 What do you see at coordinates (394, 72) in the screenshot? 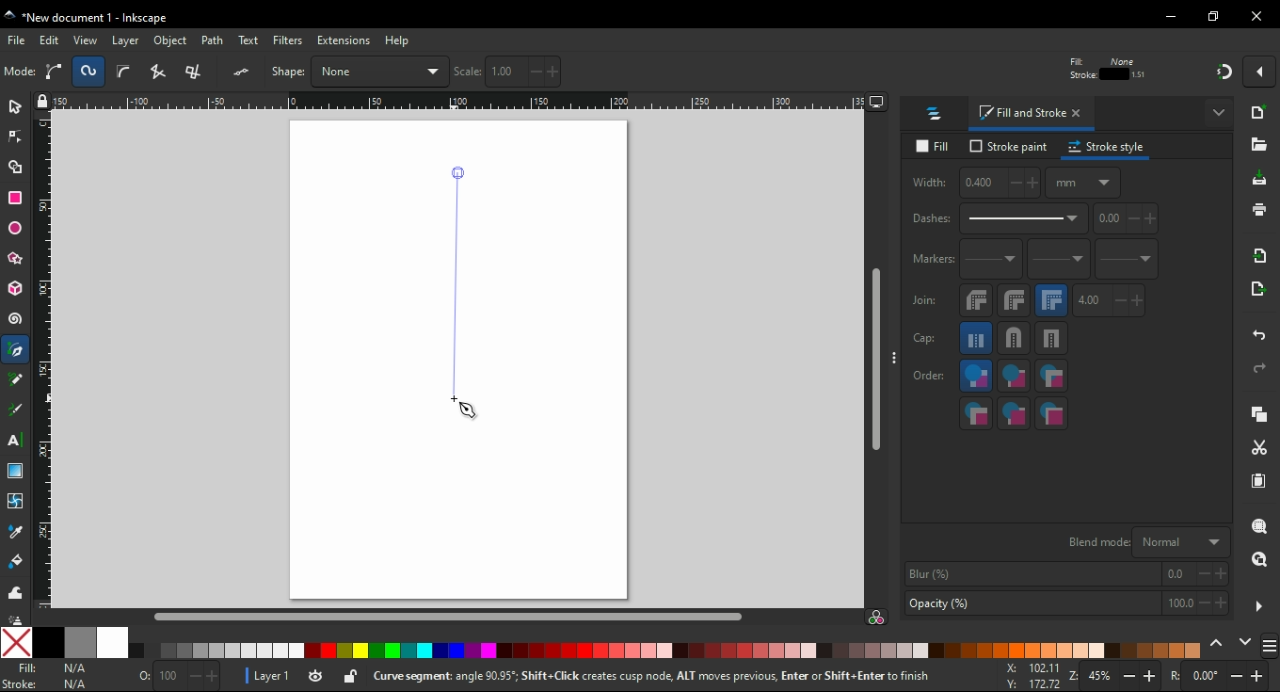
I see `lower` at bounding box center [394, 72].